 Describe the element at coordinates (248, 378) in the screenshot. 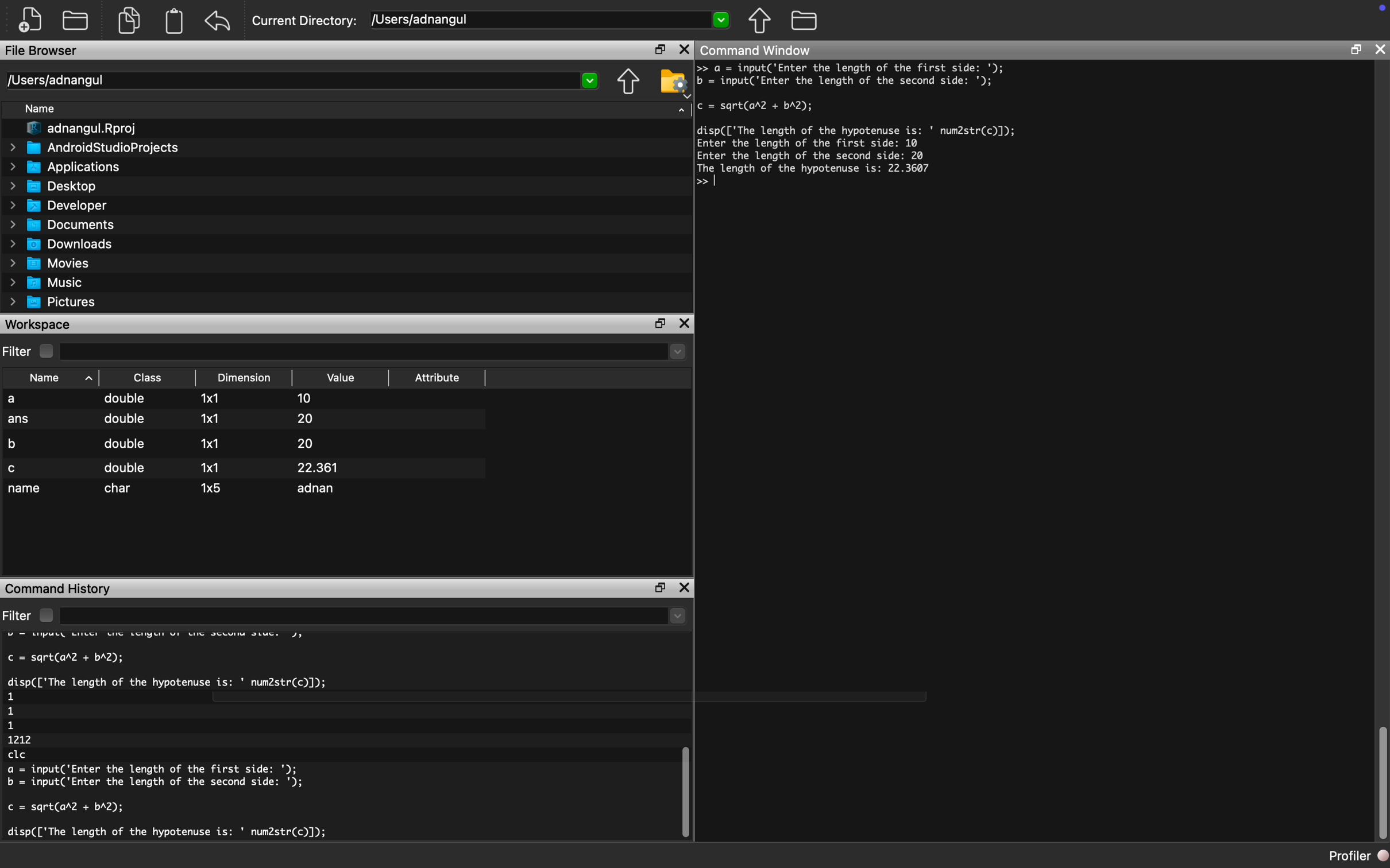

I see `Dimension` at that location.